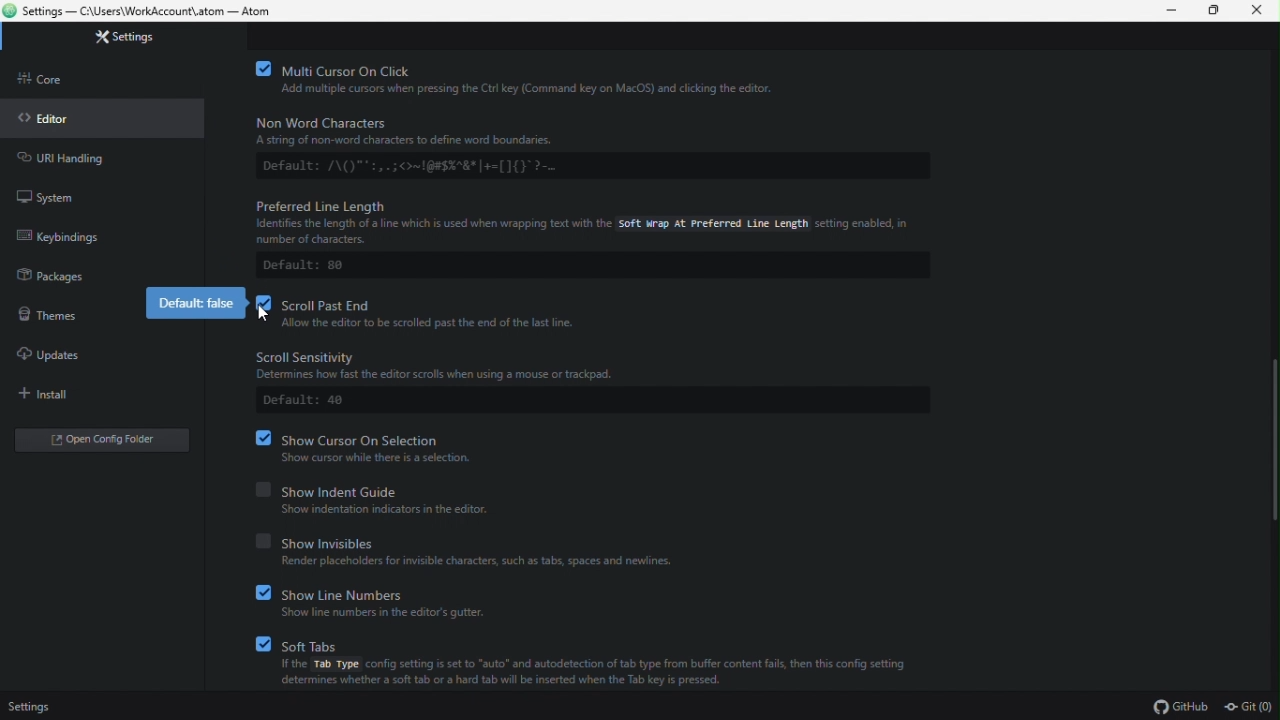 This screenshot has height=720, width=1280. Describe the element at coordinates (557, 90) in the screenshot. I see `‘Add multiple cursors when pressing the Ctrl key (Command key on MacOS) and clicking the editor.` at that location.